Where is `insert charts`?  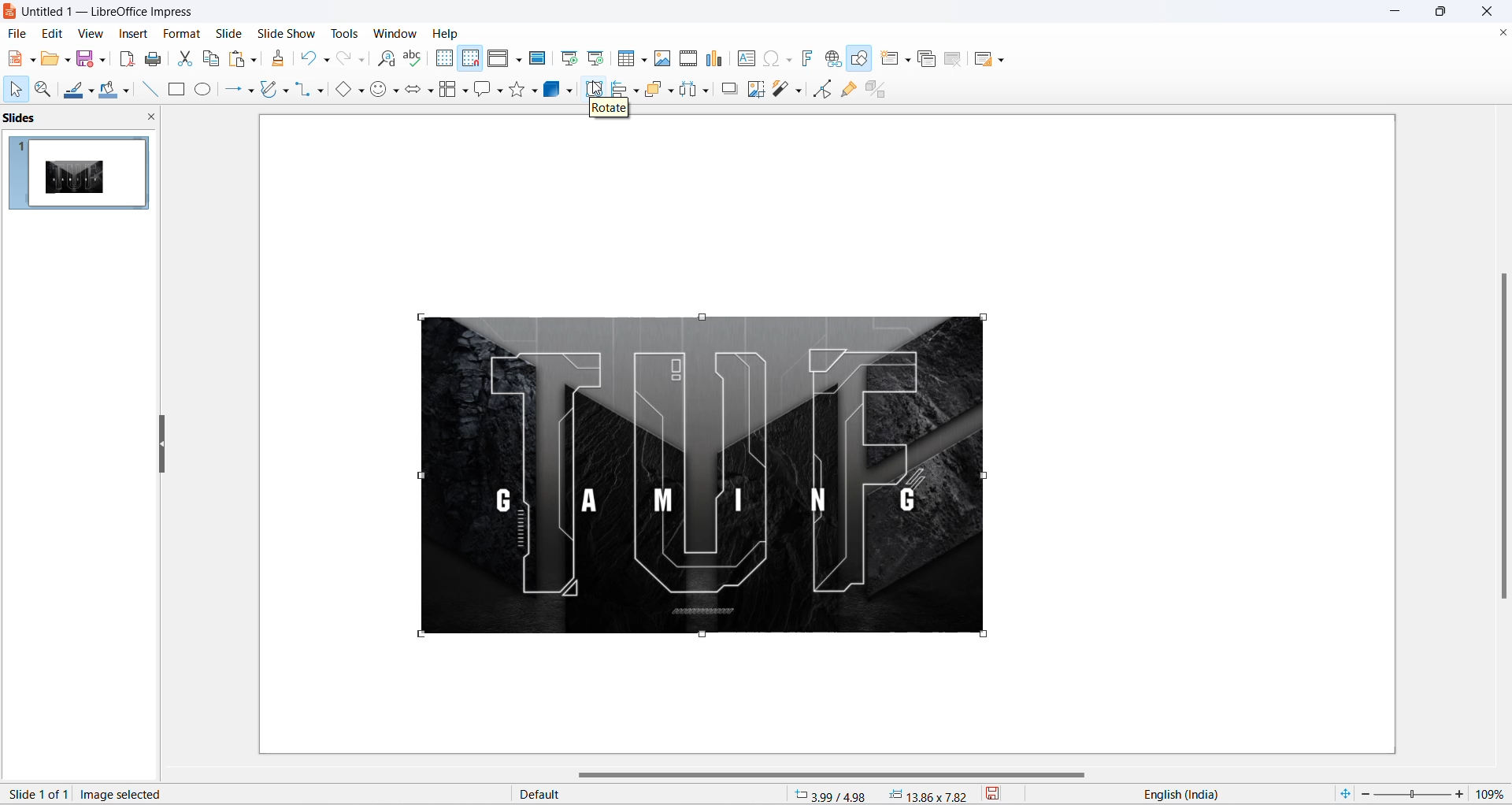
insert charts is located at coordinates (715, 59).